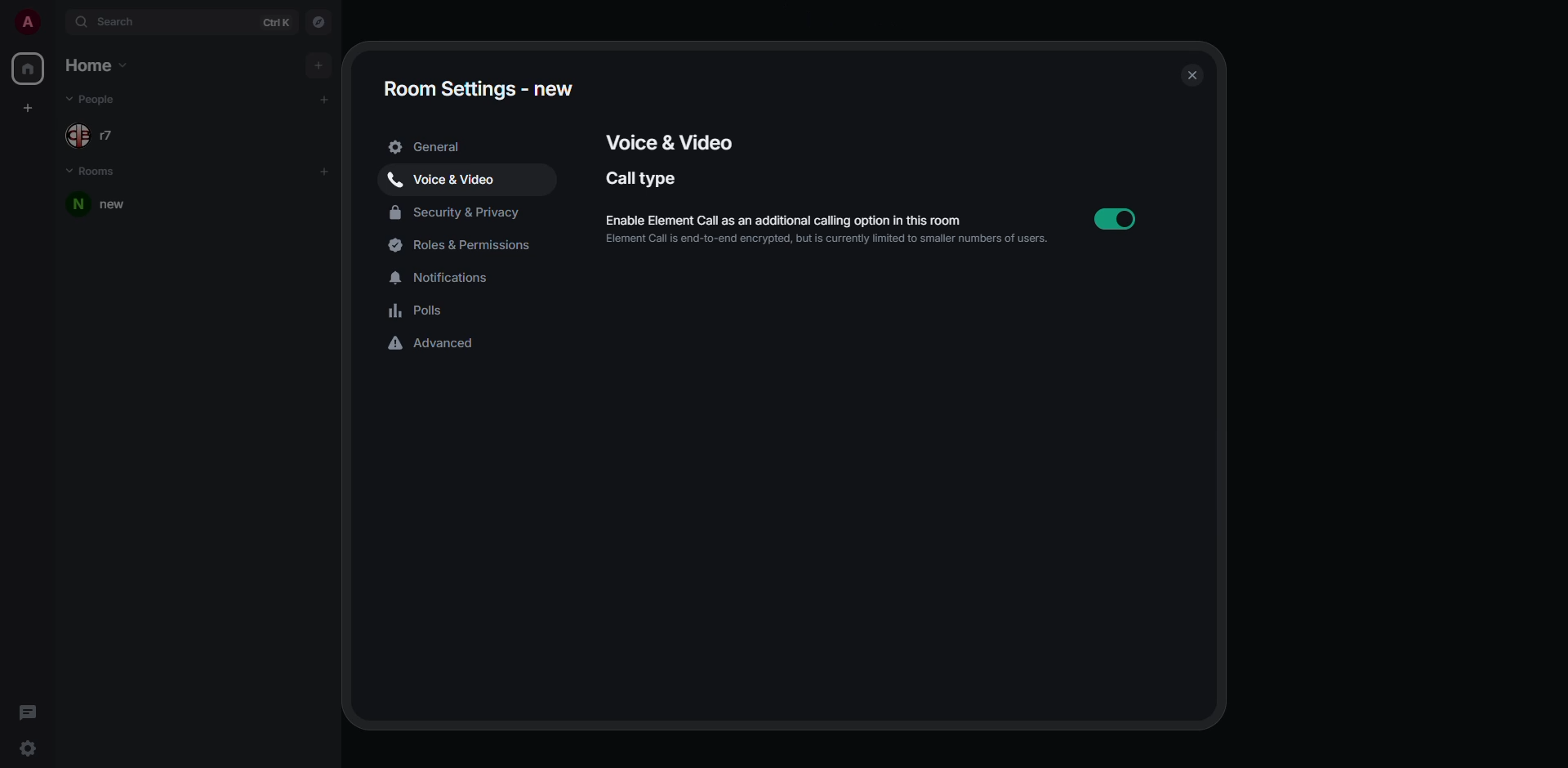  Describe the element at coordinates (325, 171) in the screenshot. I see `add` at that location.